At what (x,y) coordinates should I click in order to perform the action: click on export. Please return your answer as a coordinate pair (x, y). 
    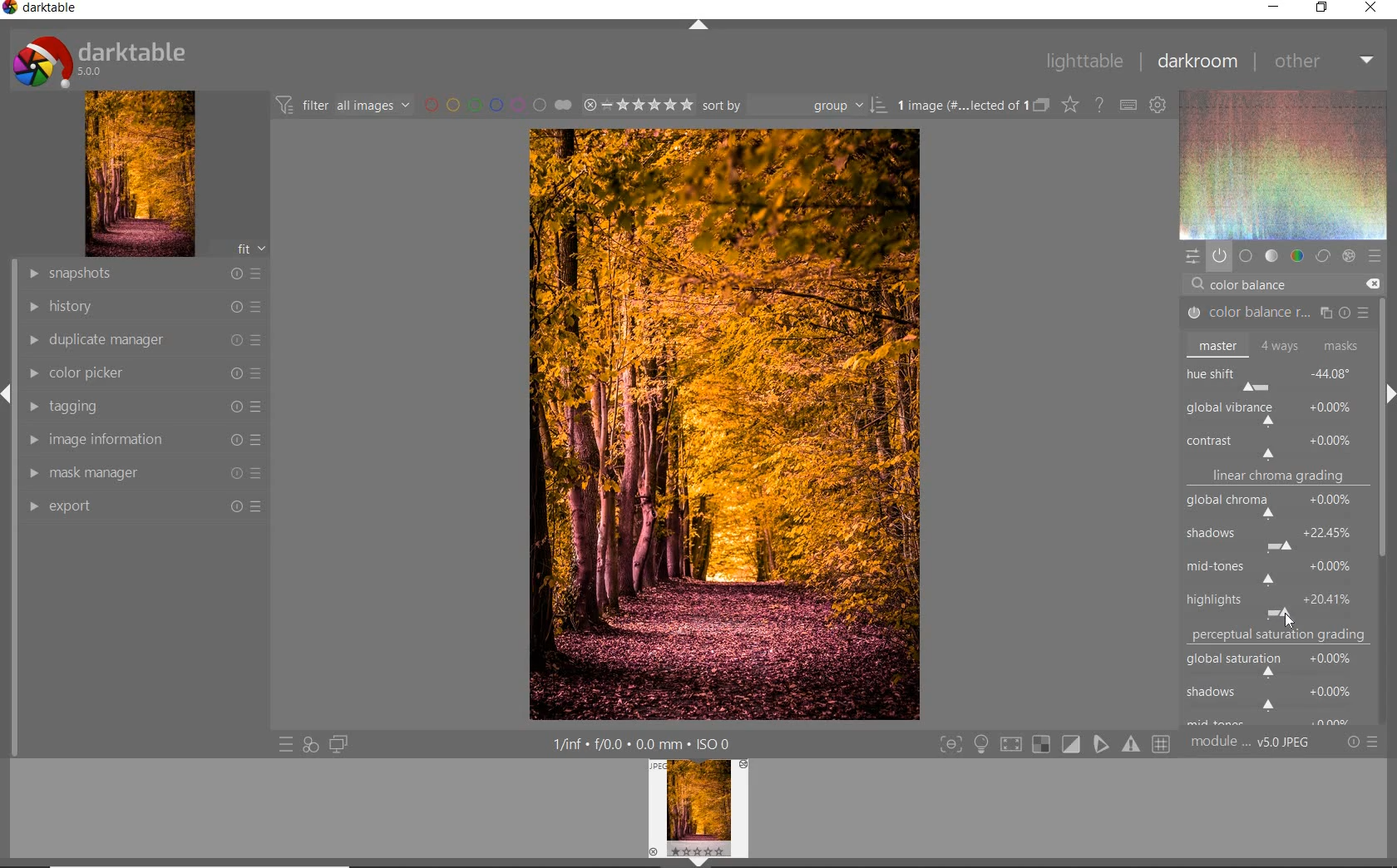
    Looking at the image, I should click on (146, 506).